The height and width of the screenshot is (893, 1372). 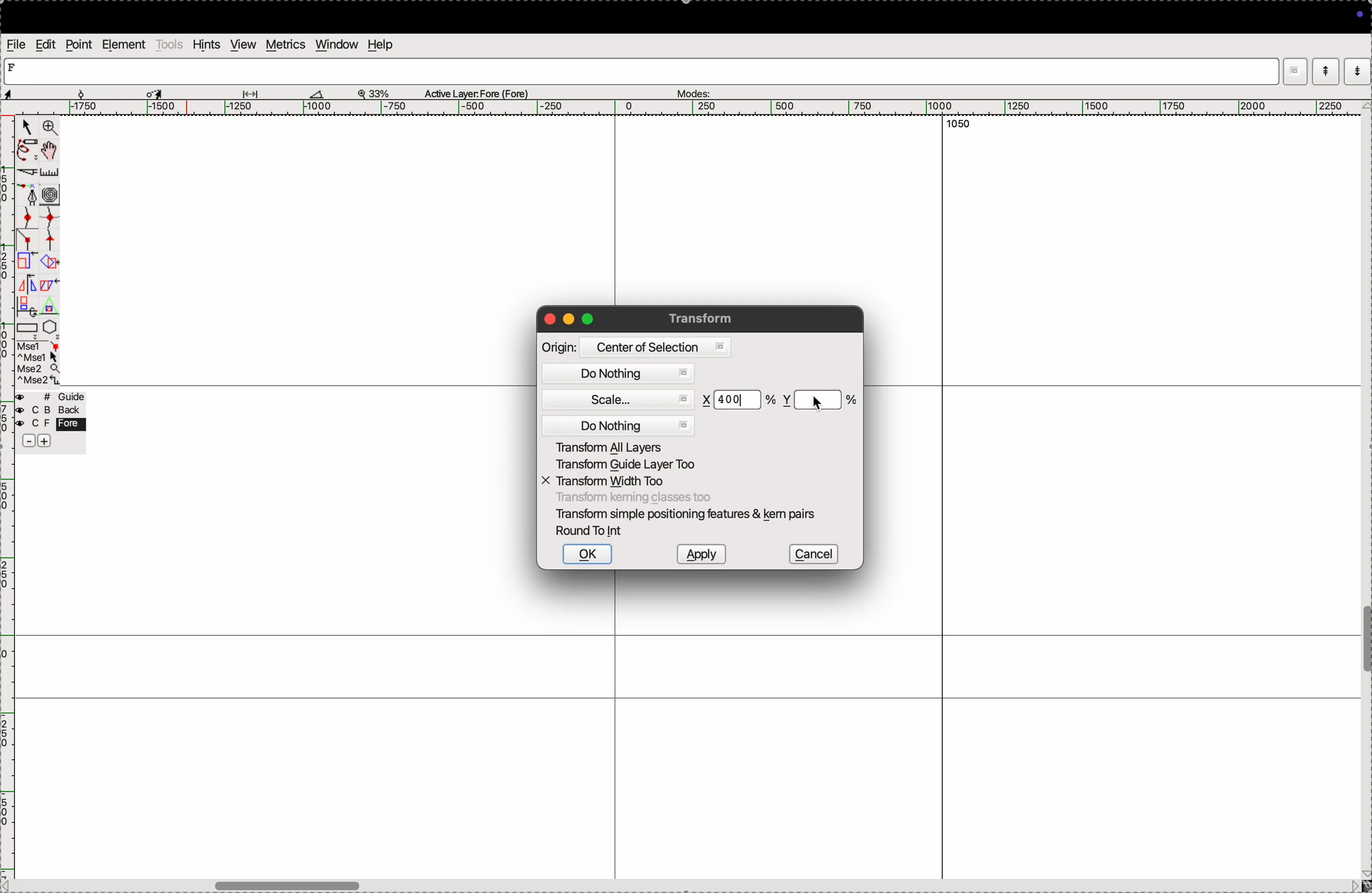 What do you see at coordinates (25, 128) in the screenshot?
I see `cursor` at bounding box center [25, 128].